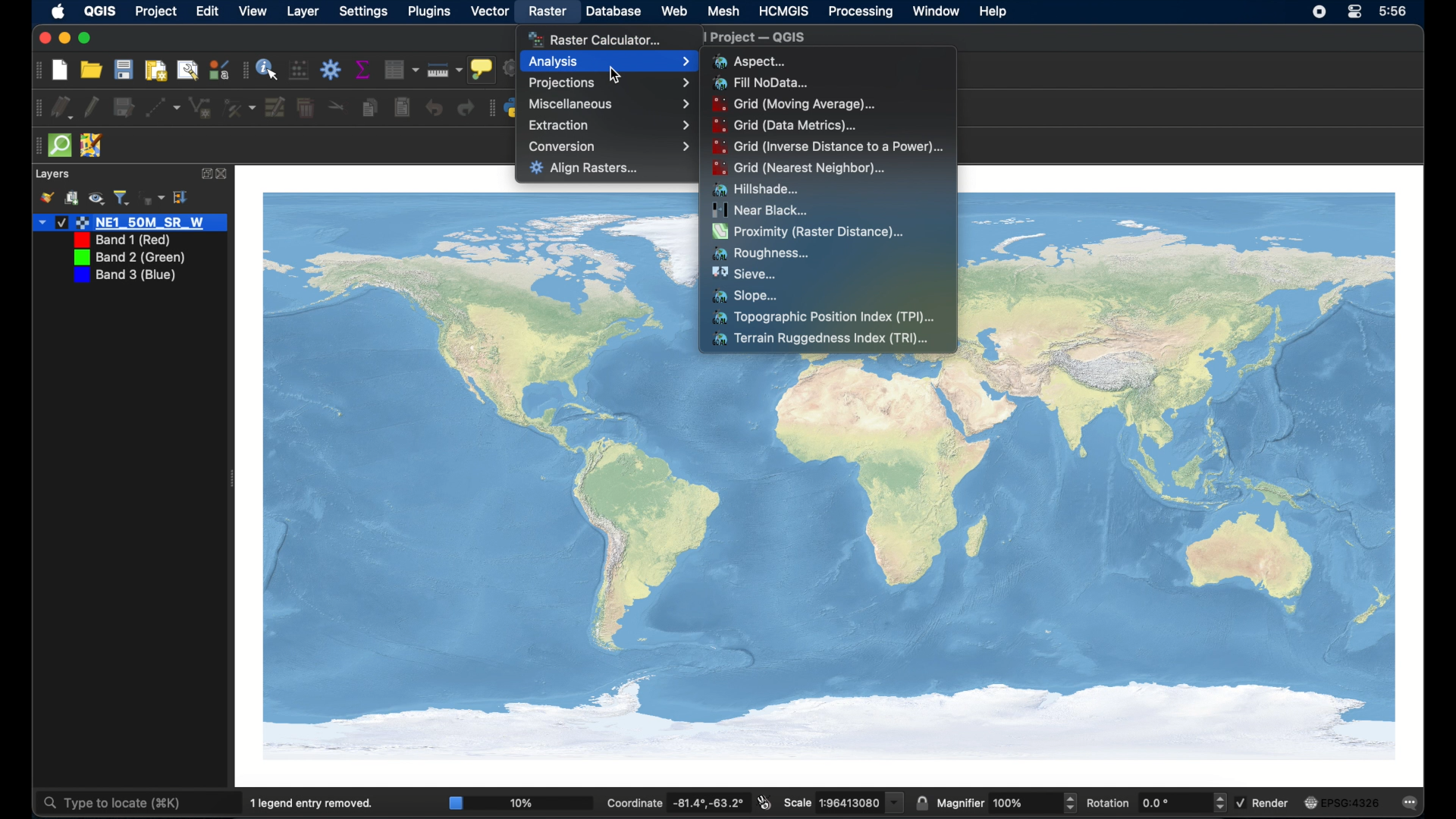  I want to click on vertex tool, so click(239, 108).